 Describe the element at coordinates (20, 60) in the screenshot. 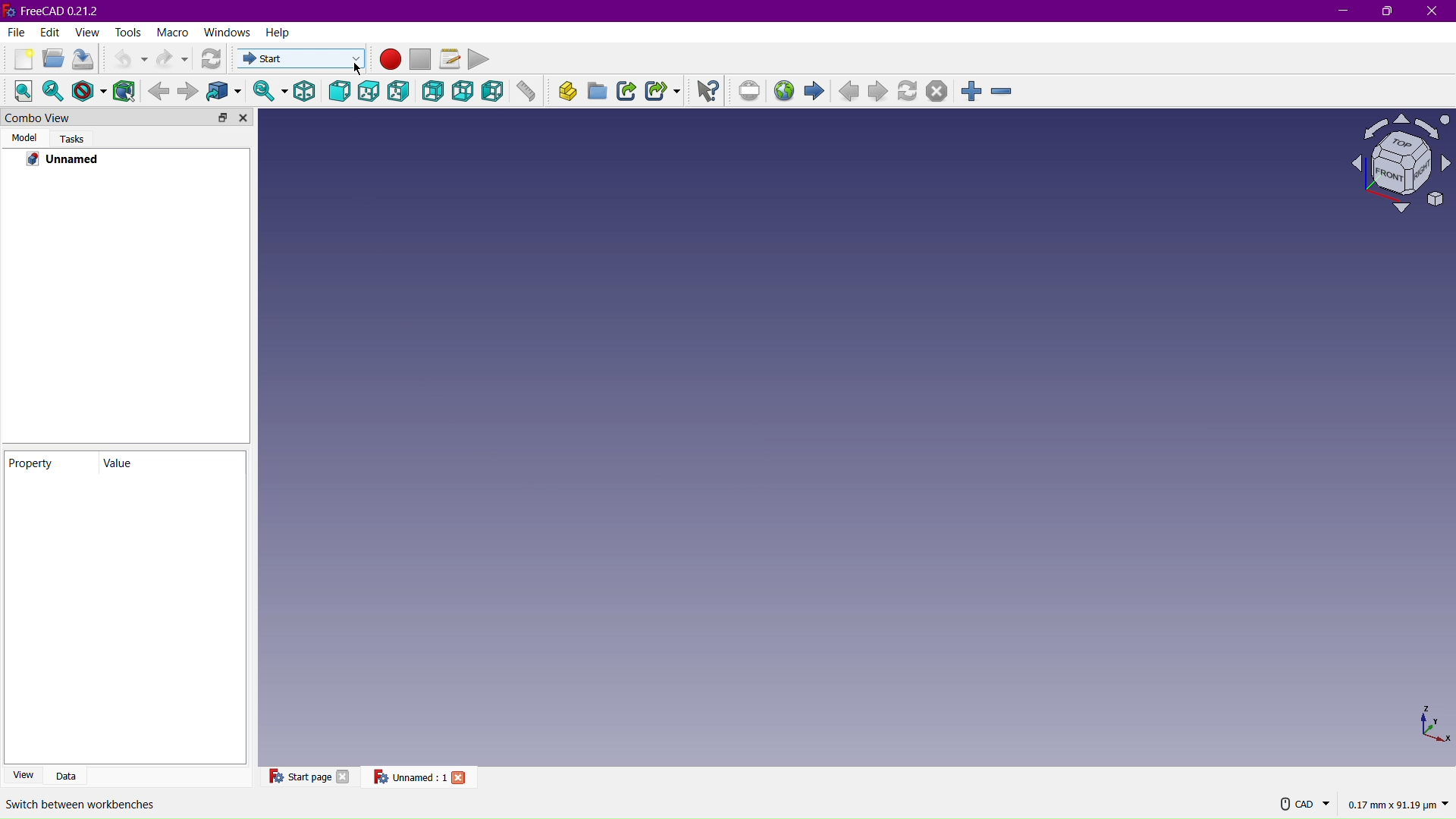

I see `New` at that location.